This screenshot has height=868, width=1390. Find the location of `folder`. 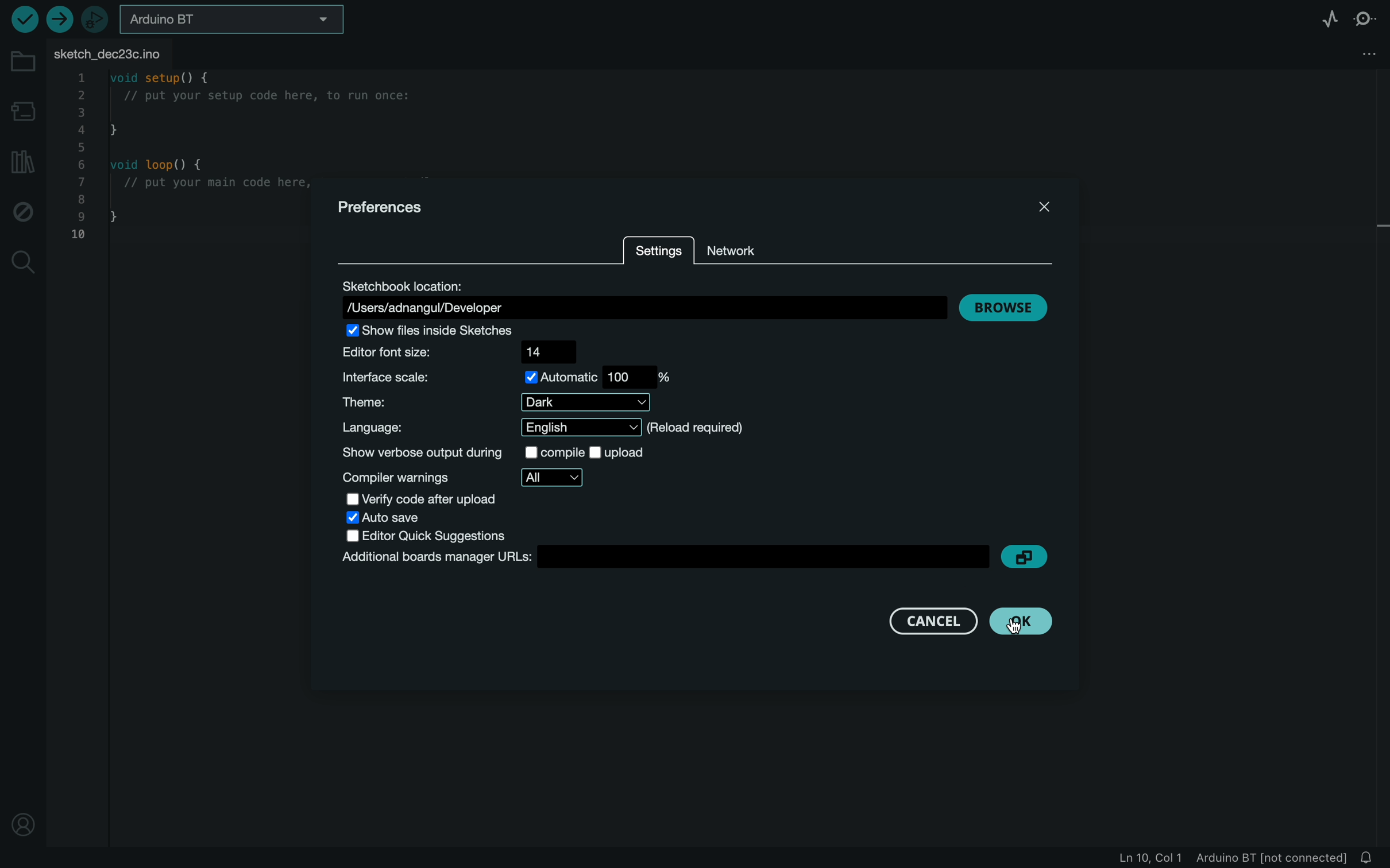

folder is located at coordinates (20, 56).